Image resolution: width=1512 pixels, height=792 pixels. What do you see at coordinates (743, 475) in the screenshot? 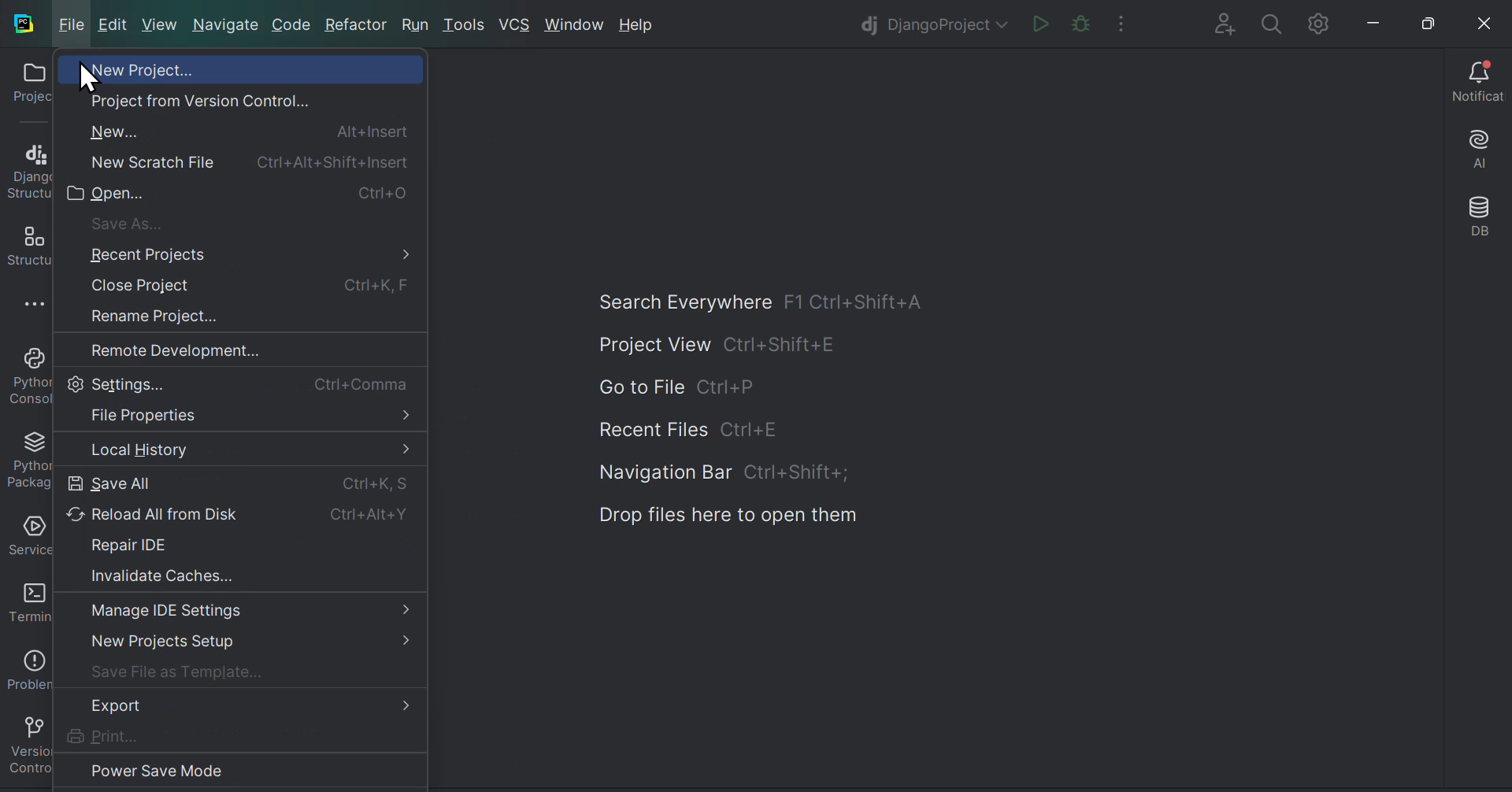
I see `Navigation bar` at bounding box center [743, 475].